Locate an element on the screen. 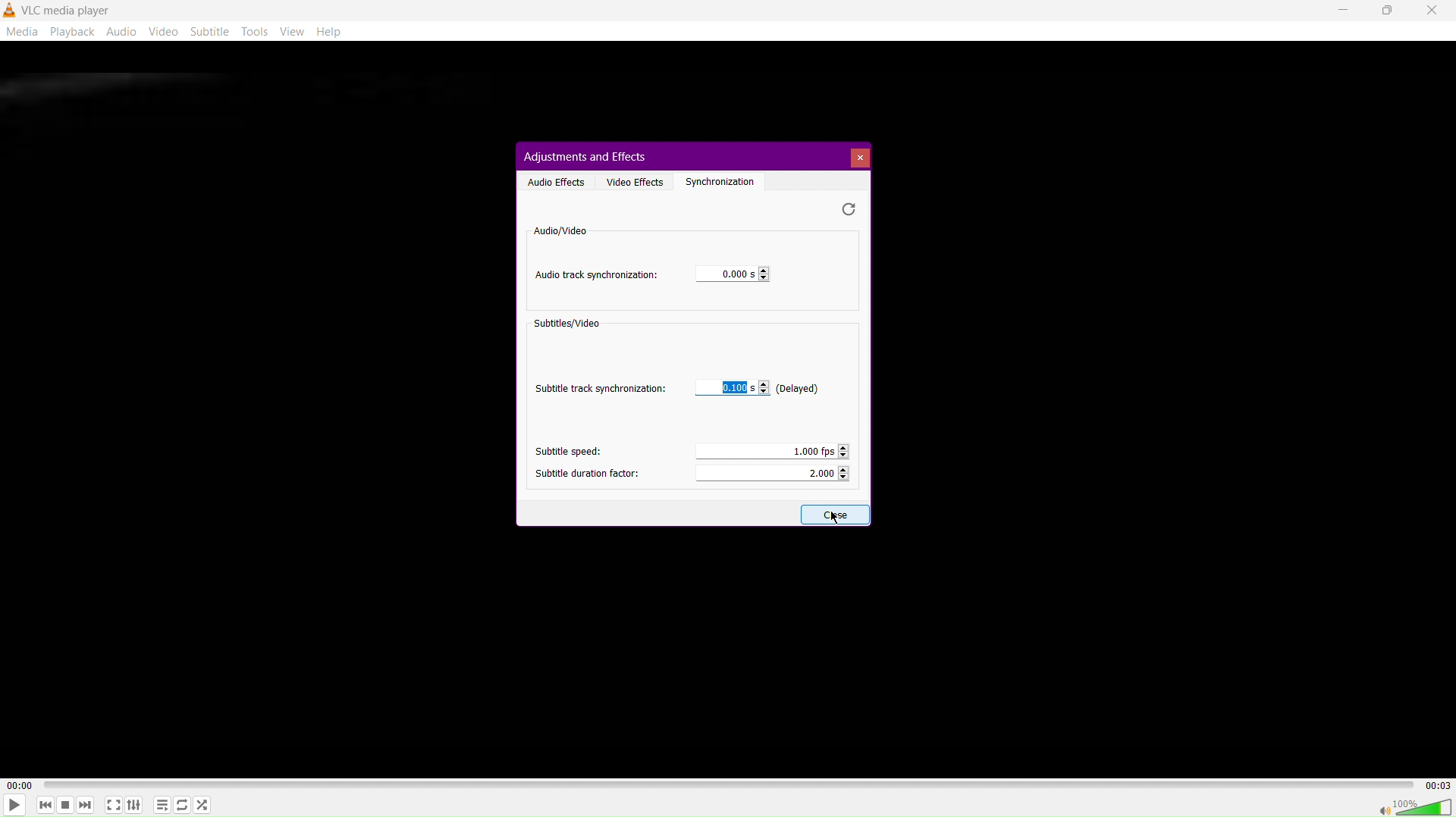 The width and height of the screenshot is (1456, 817). Play is located at coordinates (17, 805).